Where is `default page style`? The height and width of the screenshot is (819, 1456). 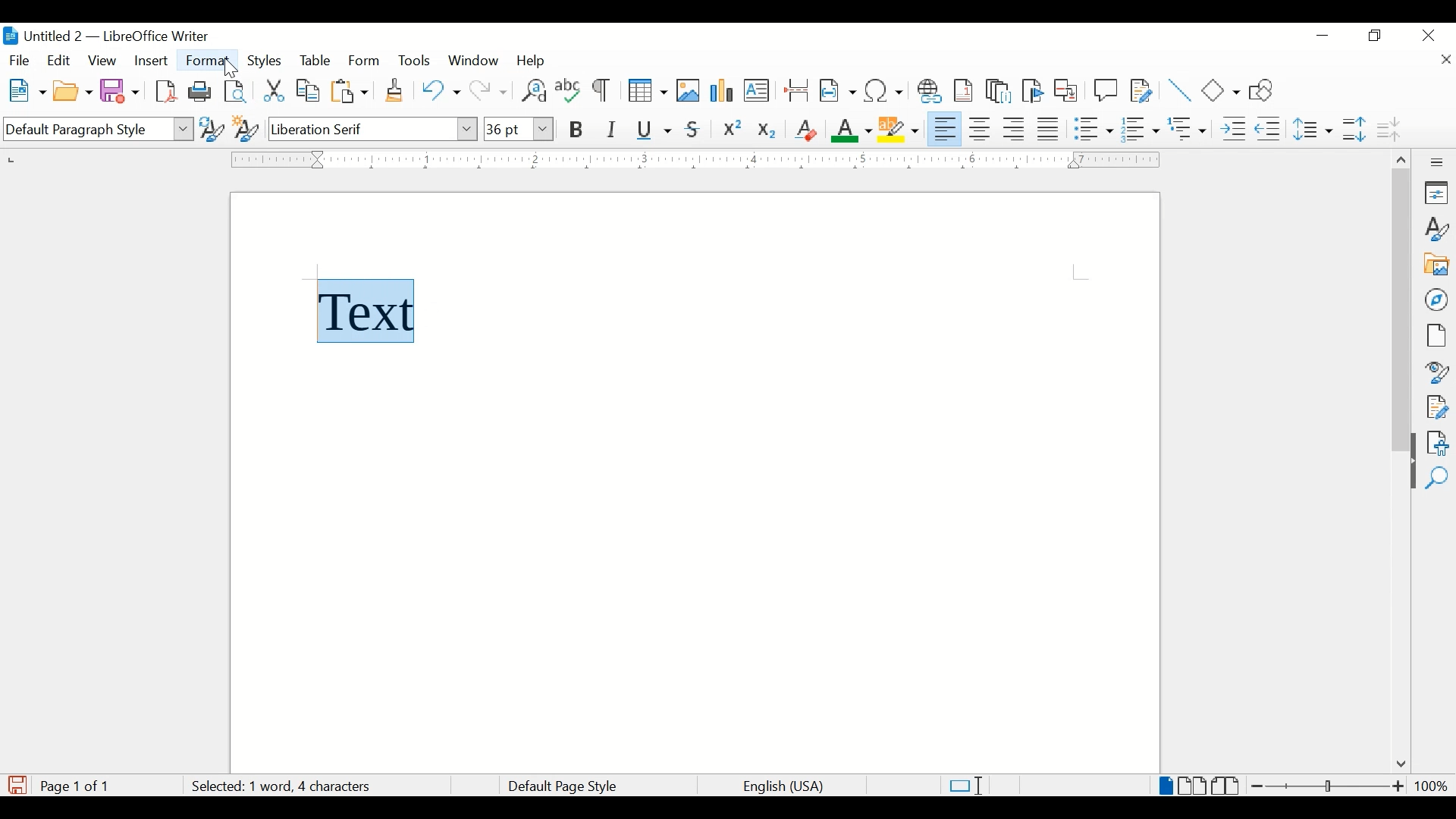
default page style is located at coordinates (560, 786).